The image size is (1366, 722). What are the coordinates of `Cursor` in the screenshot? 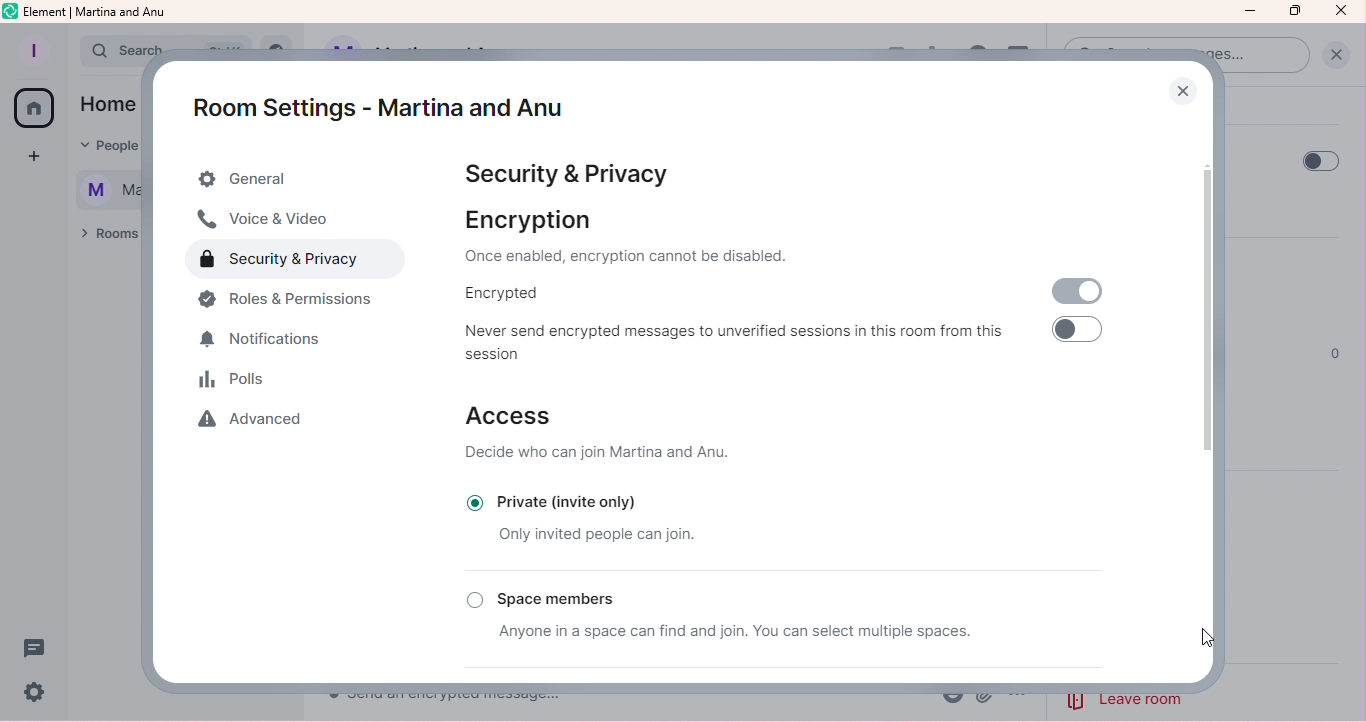 It's located at (1203, 641).